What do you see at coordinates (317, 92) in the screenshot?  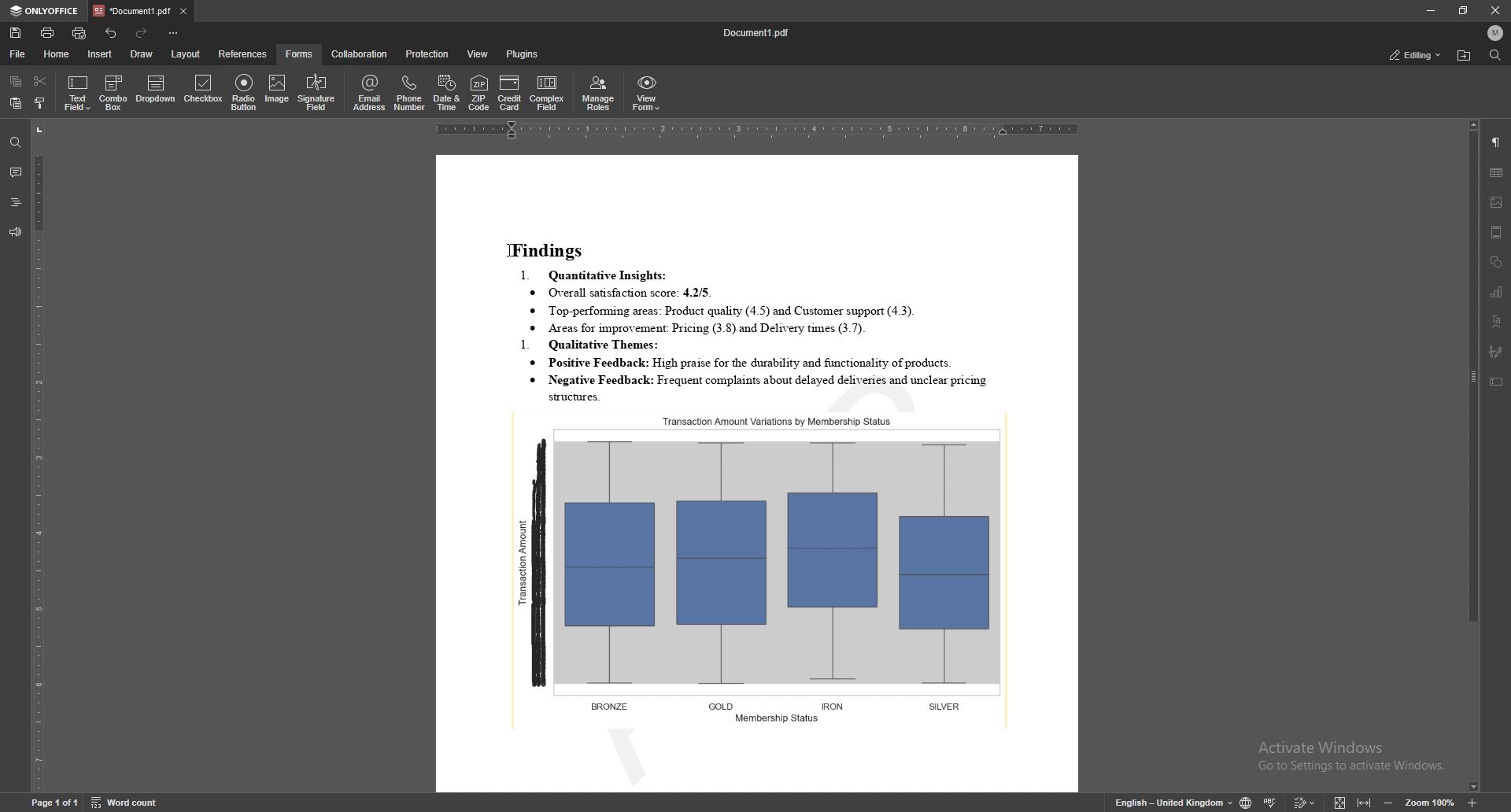 I see `signature field` at bounding box center [317, 92].